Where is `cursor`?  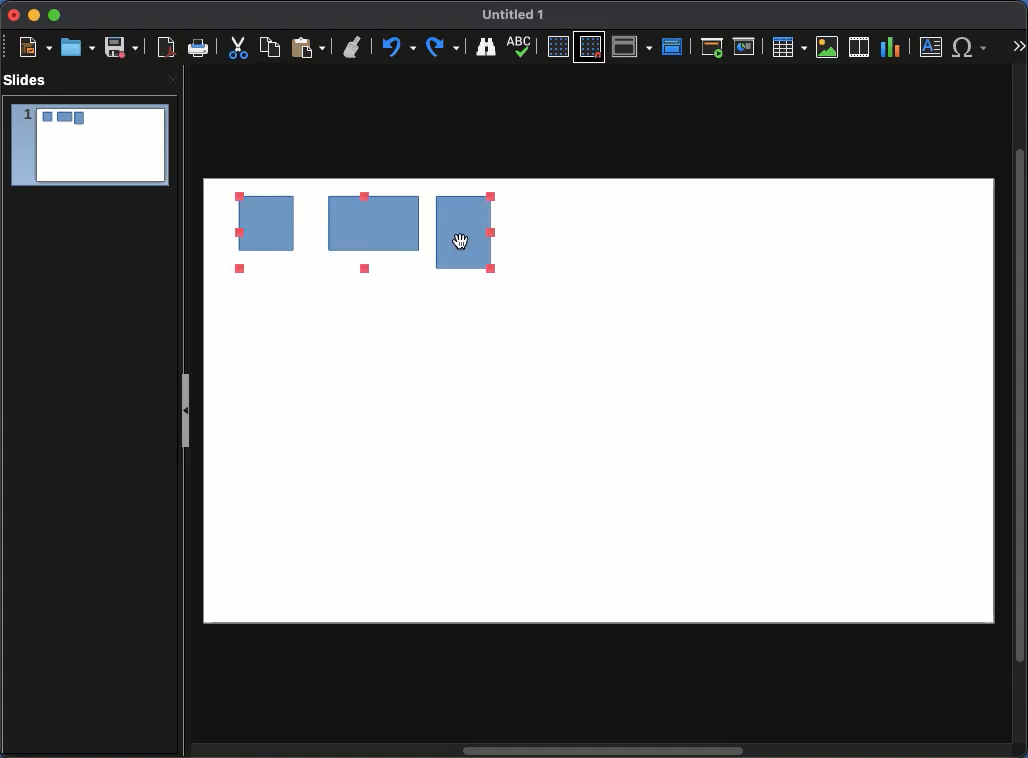
cursor is located at coordinates (464, 241).